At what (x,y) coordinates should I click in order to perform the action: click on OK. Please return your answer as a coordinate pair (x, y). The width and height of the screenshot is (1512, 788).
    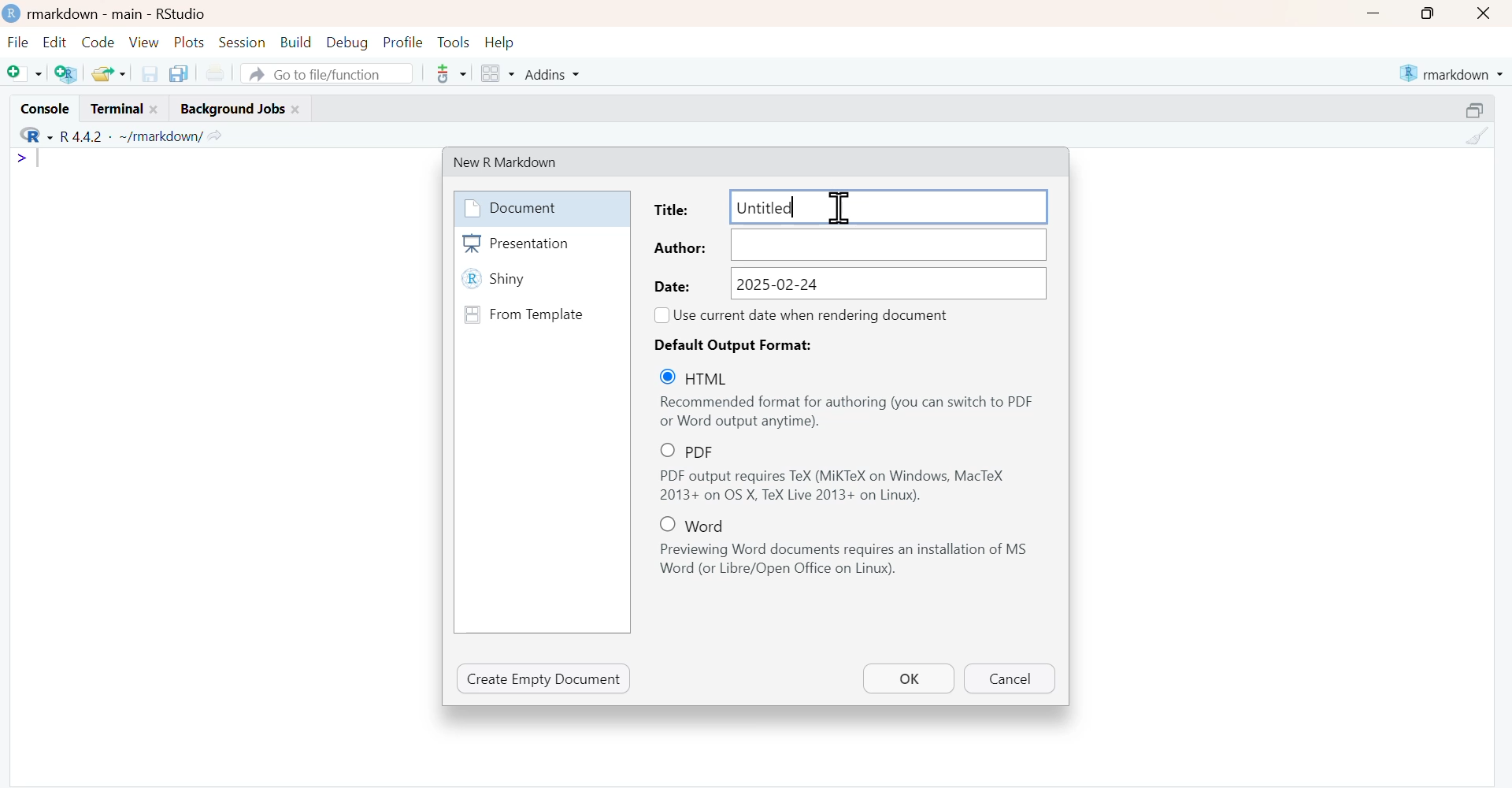
    Looking at the image, I should click on (908, 678).